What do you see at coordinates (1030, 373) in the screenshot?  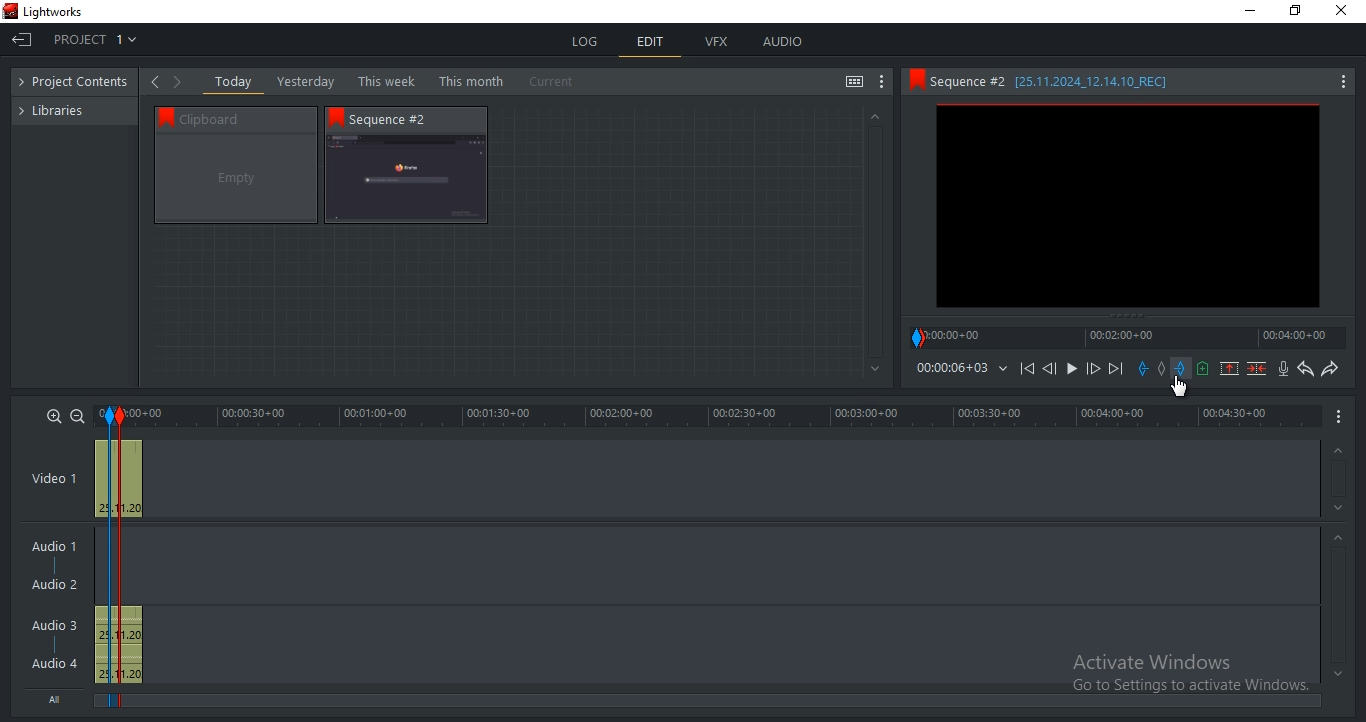 I see `Move backward` at bounding box center [1030, 373].